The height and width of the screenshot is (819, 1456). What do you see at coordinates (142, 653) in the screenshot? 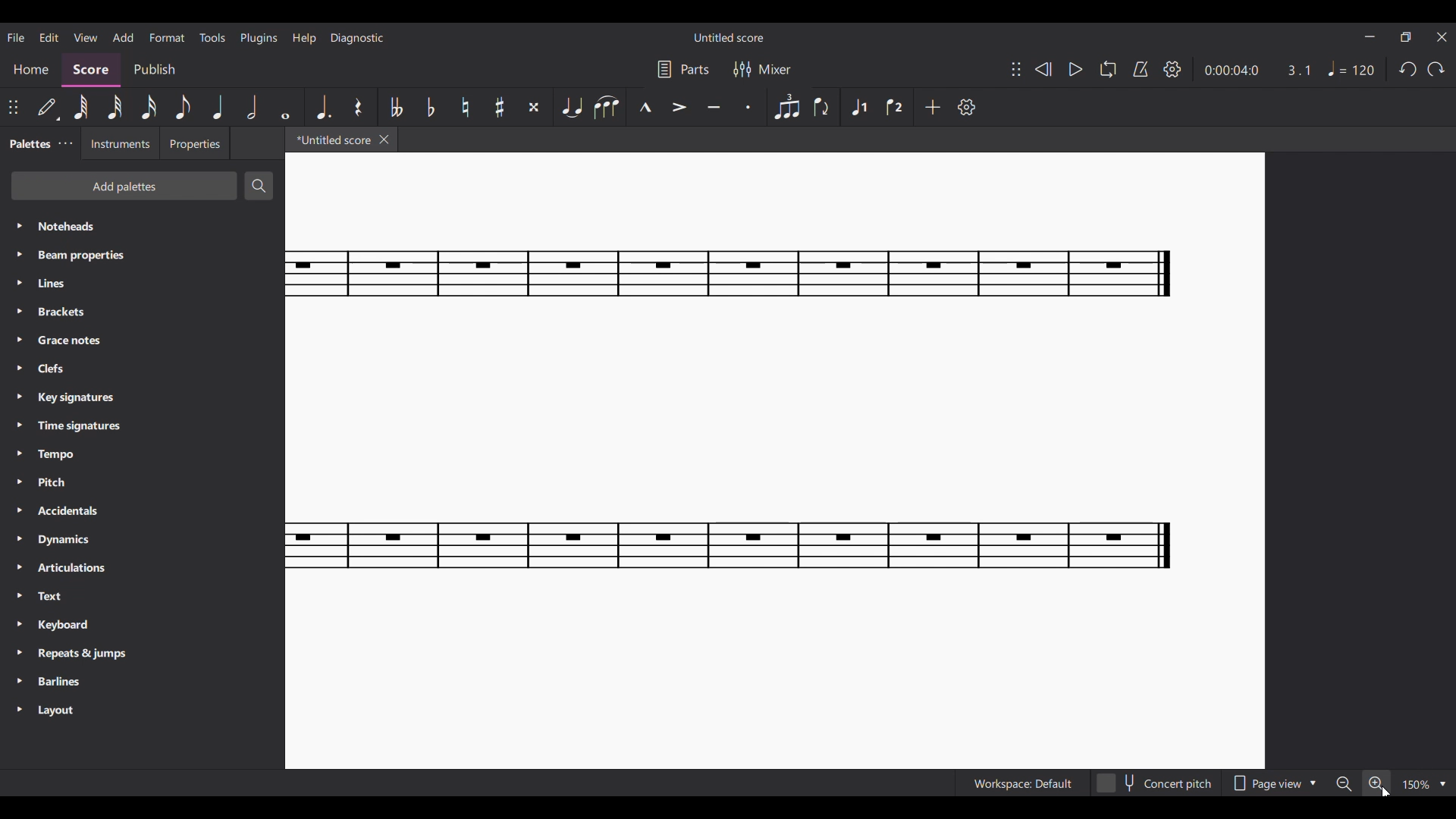
I see `Repeats & jumps` at bounding box center [142, 653].